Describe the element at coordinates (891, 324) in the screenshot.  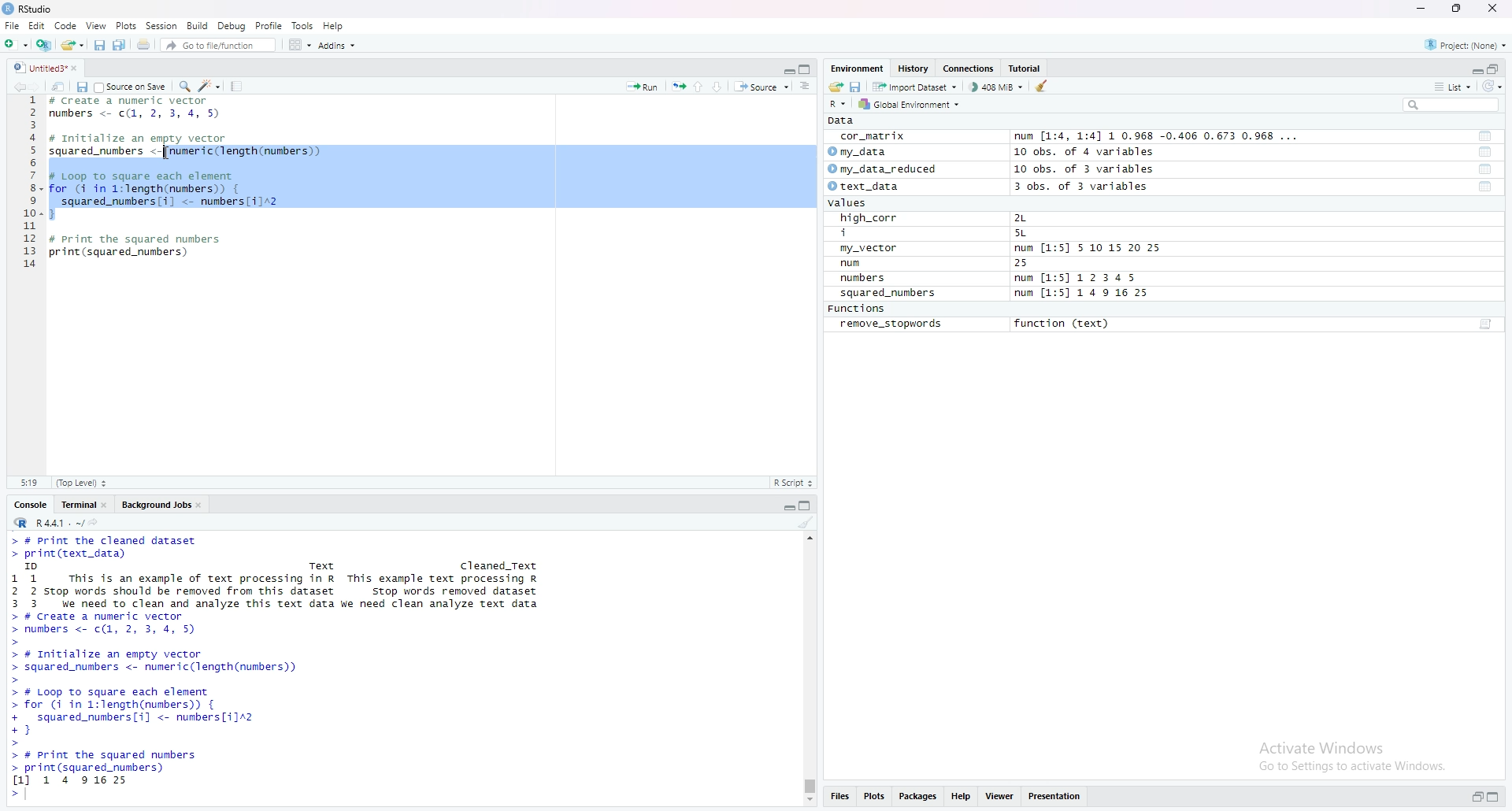
I see `remove_stopwords` at that location.